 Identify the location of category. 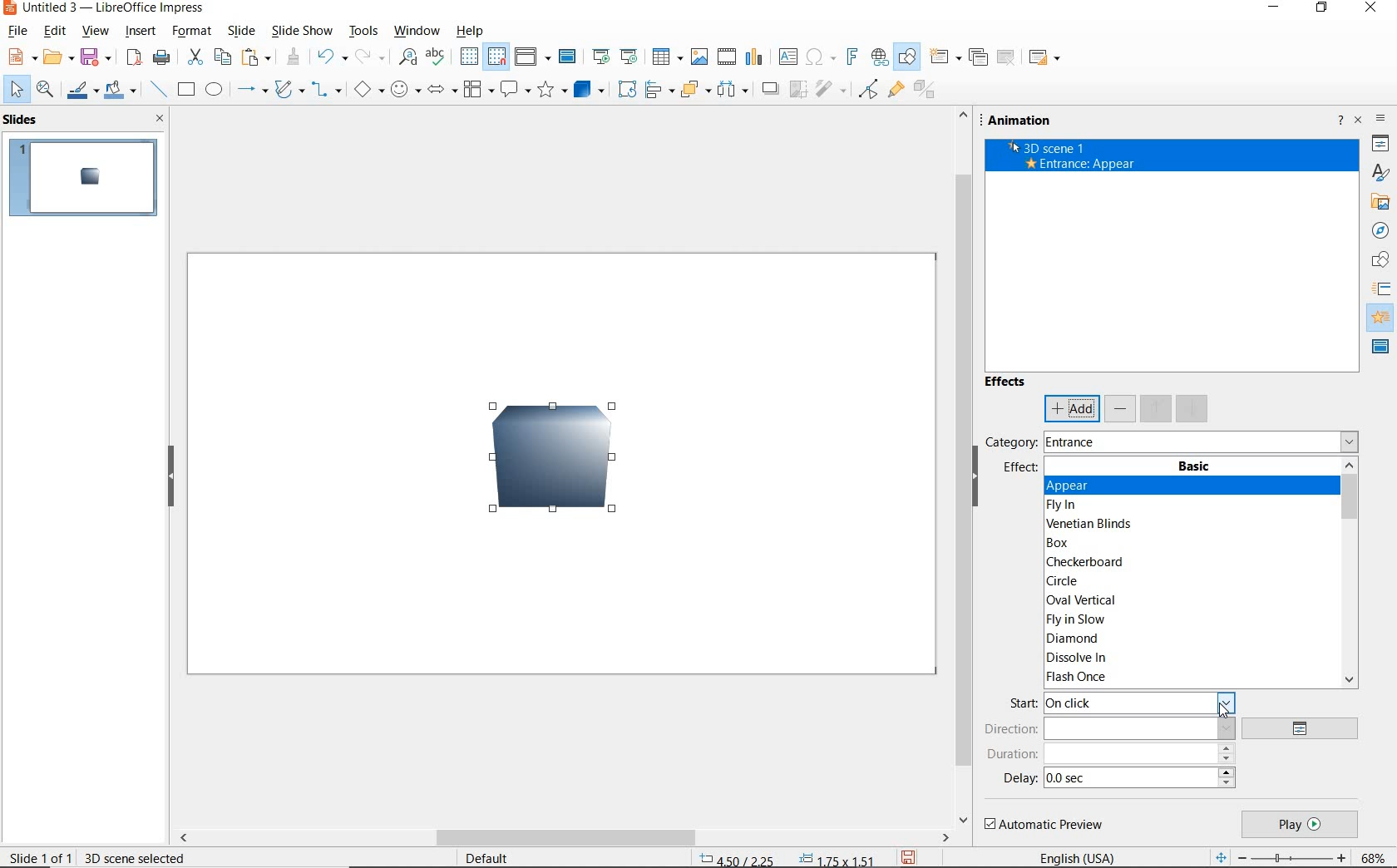
(1009, 441).